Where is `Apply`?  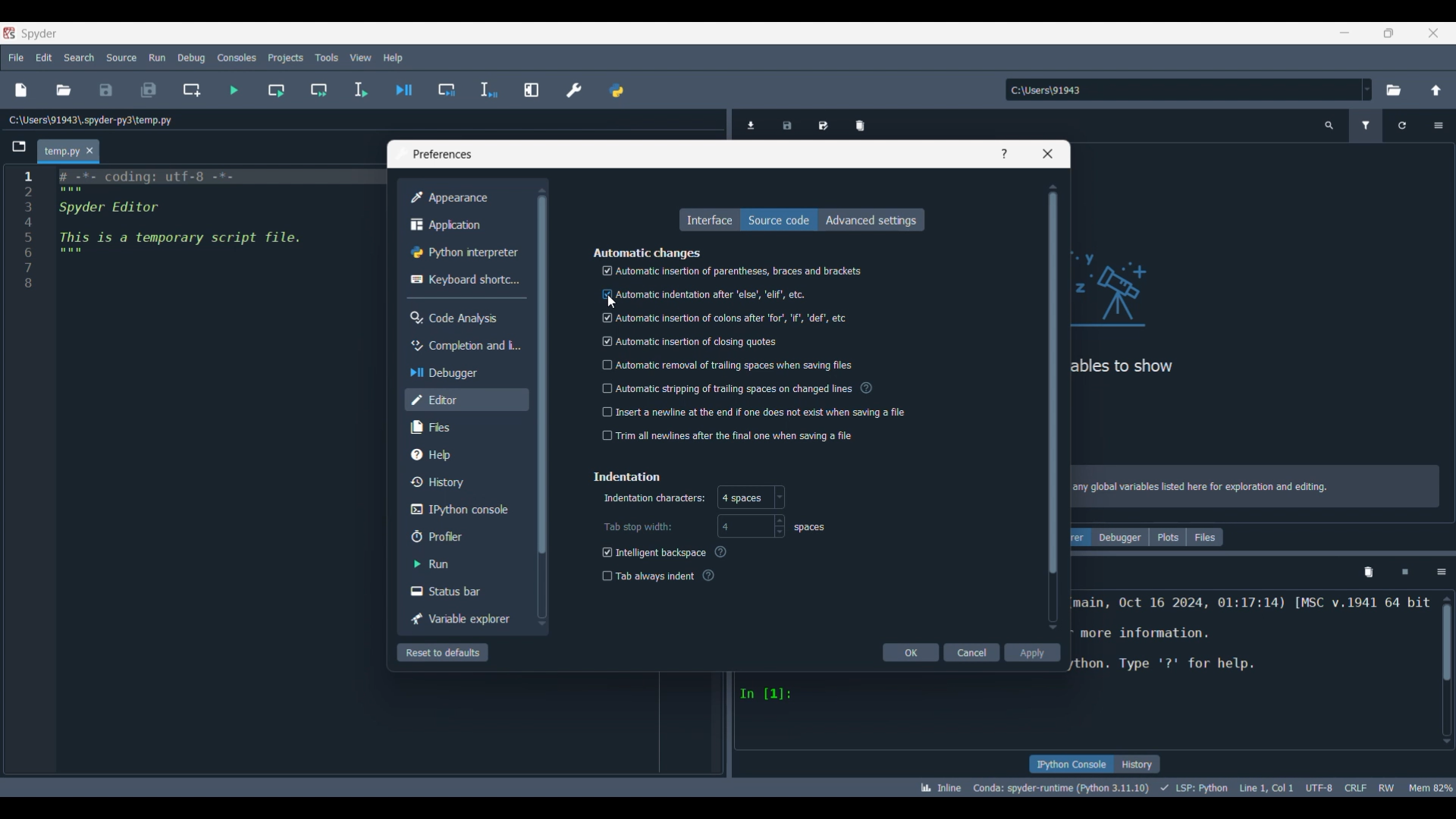
Apply is located at coordinates (1032, 653).